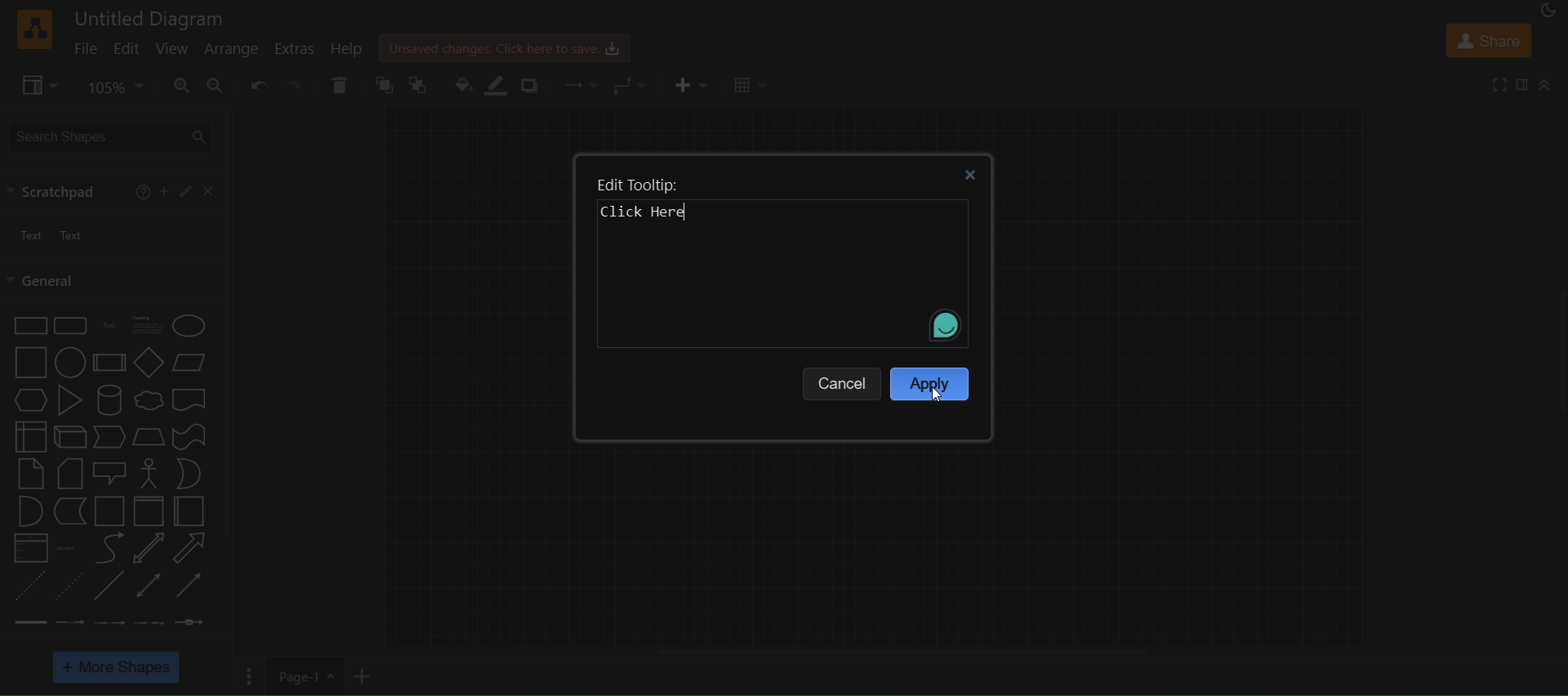 Image resolution: width=1568 pixels, height=696 pixels. I want to click on table, so click(751, 86).